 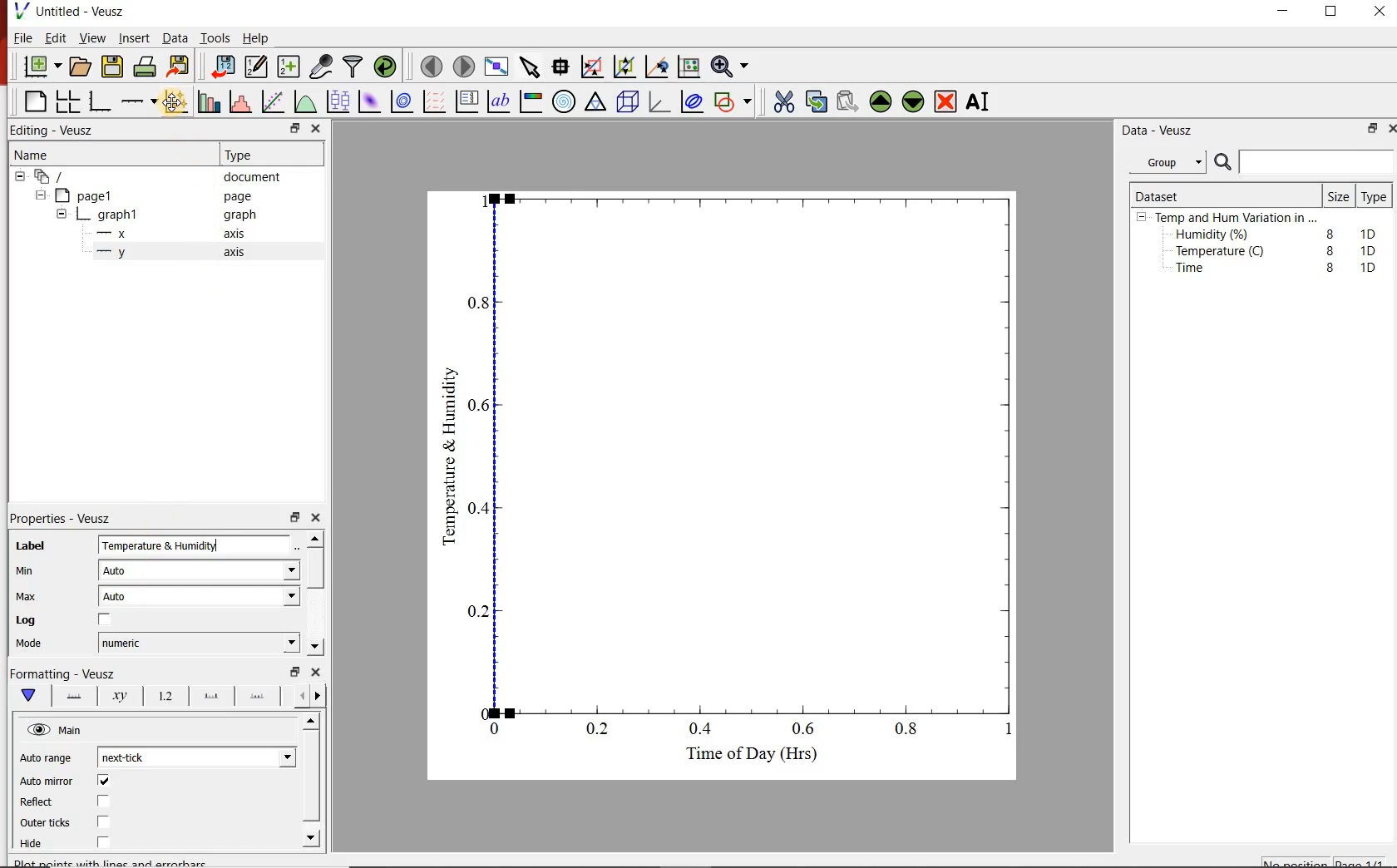 I want to click on add a shape to the plot, so click(x=737, y=104).